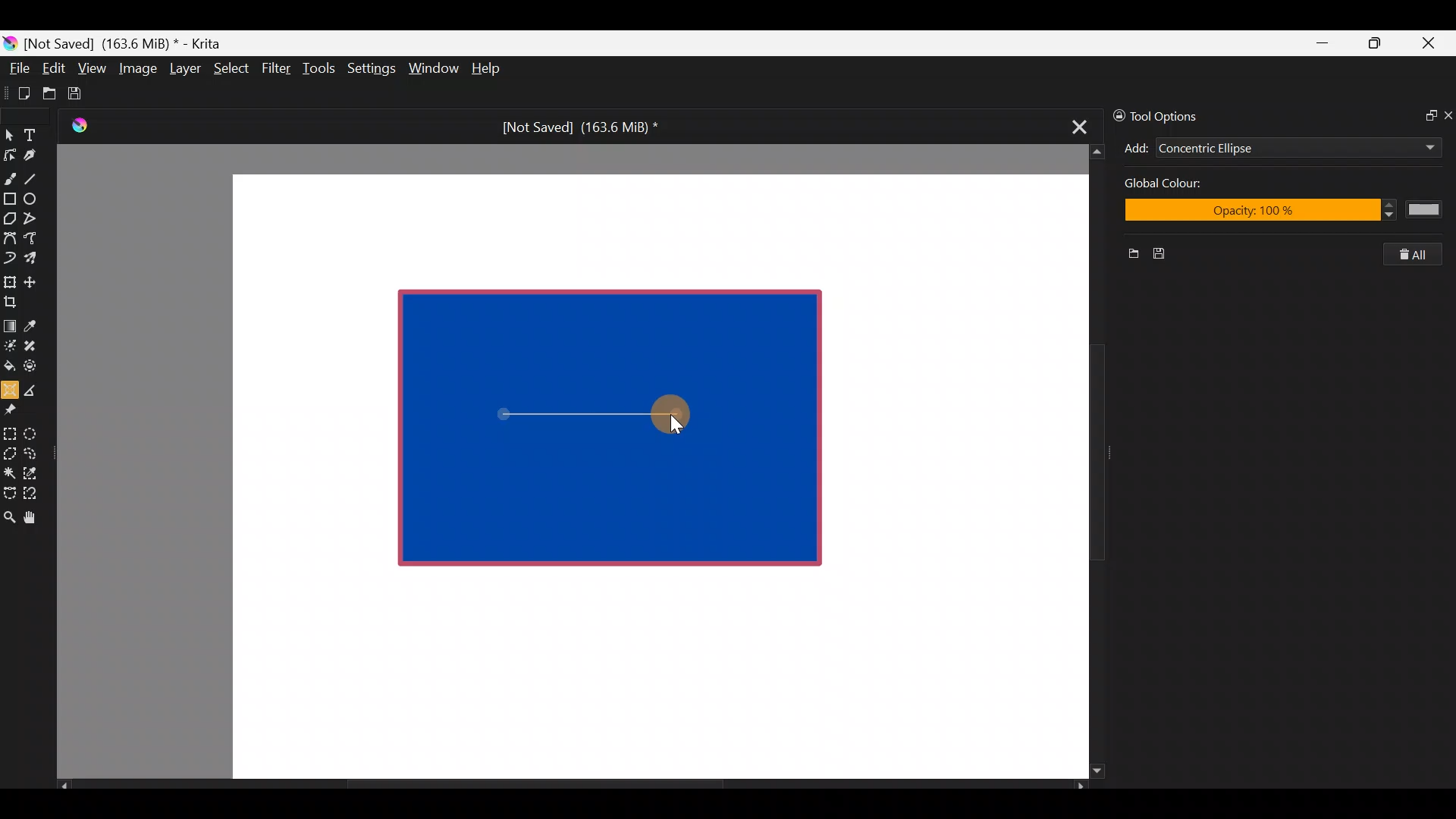  Describe the element at coordinates (33, 472) in the screenshot. I see `Similar color selection tool` at that location.